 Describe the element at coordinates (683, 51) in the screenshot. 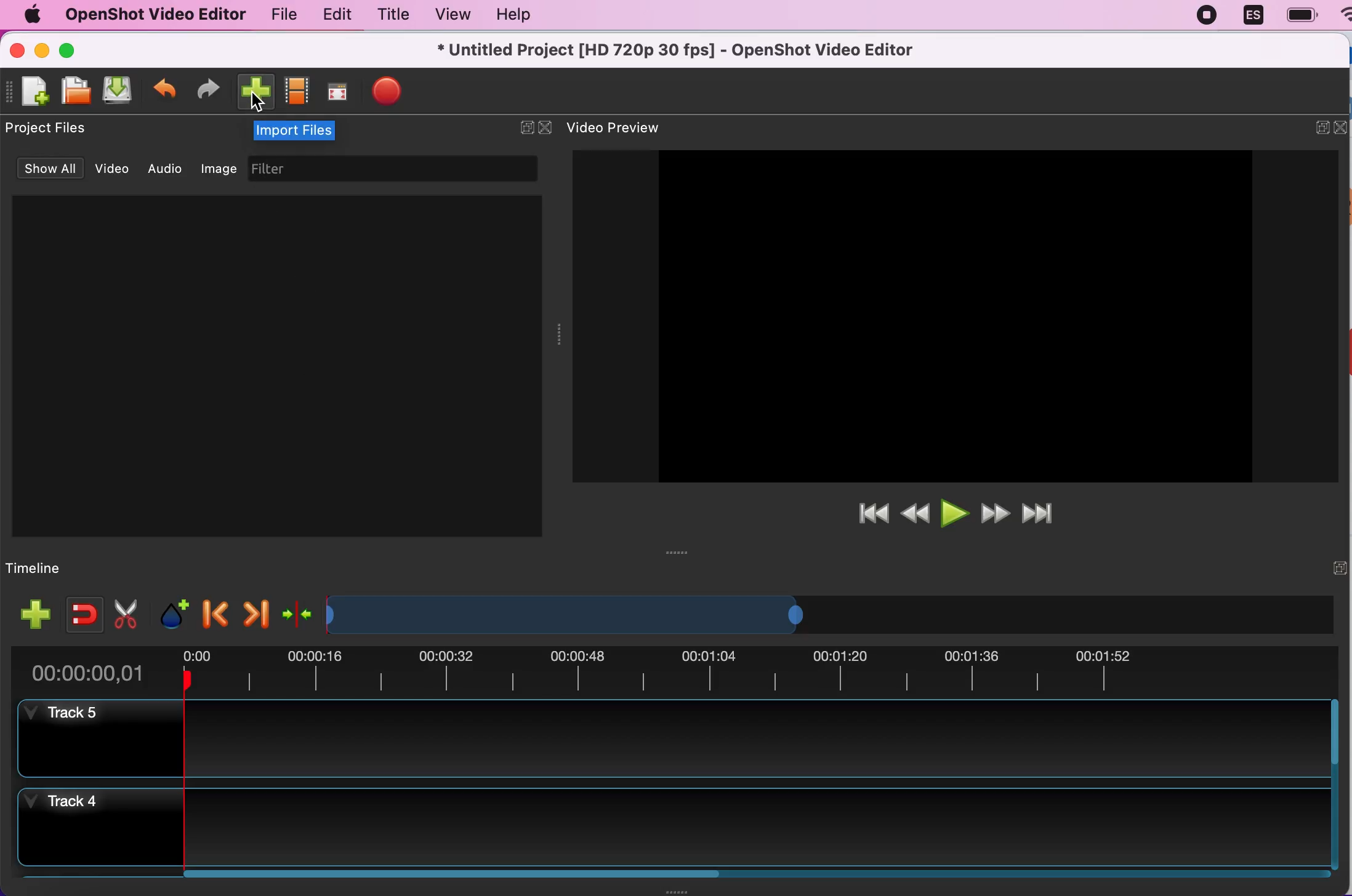

I see `title` at that location.